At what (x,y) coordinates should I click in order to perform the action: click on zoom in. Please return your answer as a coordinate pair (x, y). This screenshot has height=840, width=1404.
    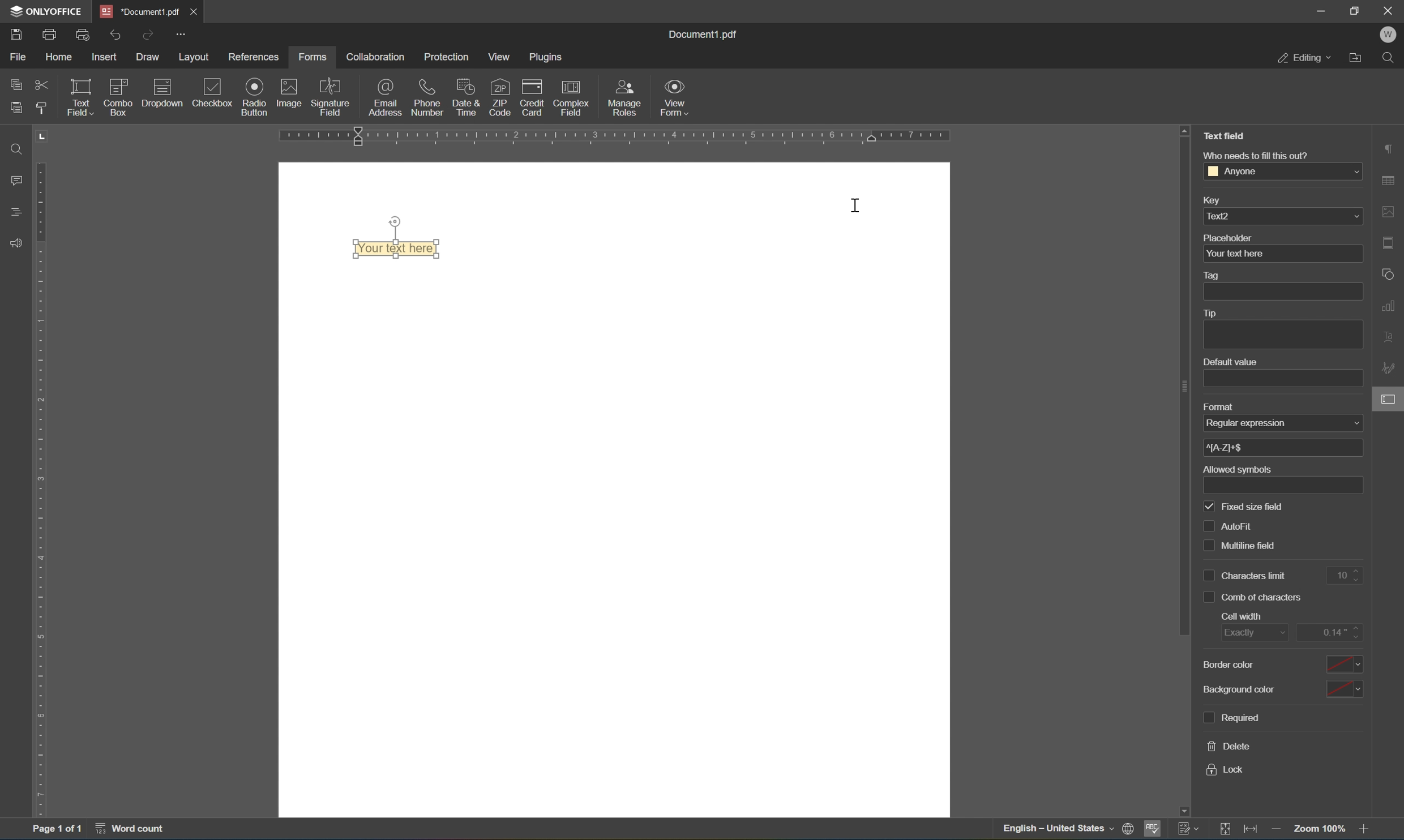
    Looking at the image, I should click on (1364, 829).